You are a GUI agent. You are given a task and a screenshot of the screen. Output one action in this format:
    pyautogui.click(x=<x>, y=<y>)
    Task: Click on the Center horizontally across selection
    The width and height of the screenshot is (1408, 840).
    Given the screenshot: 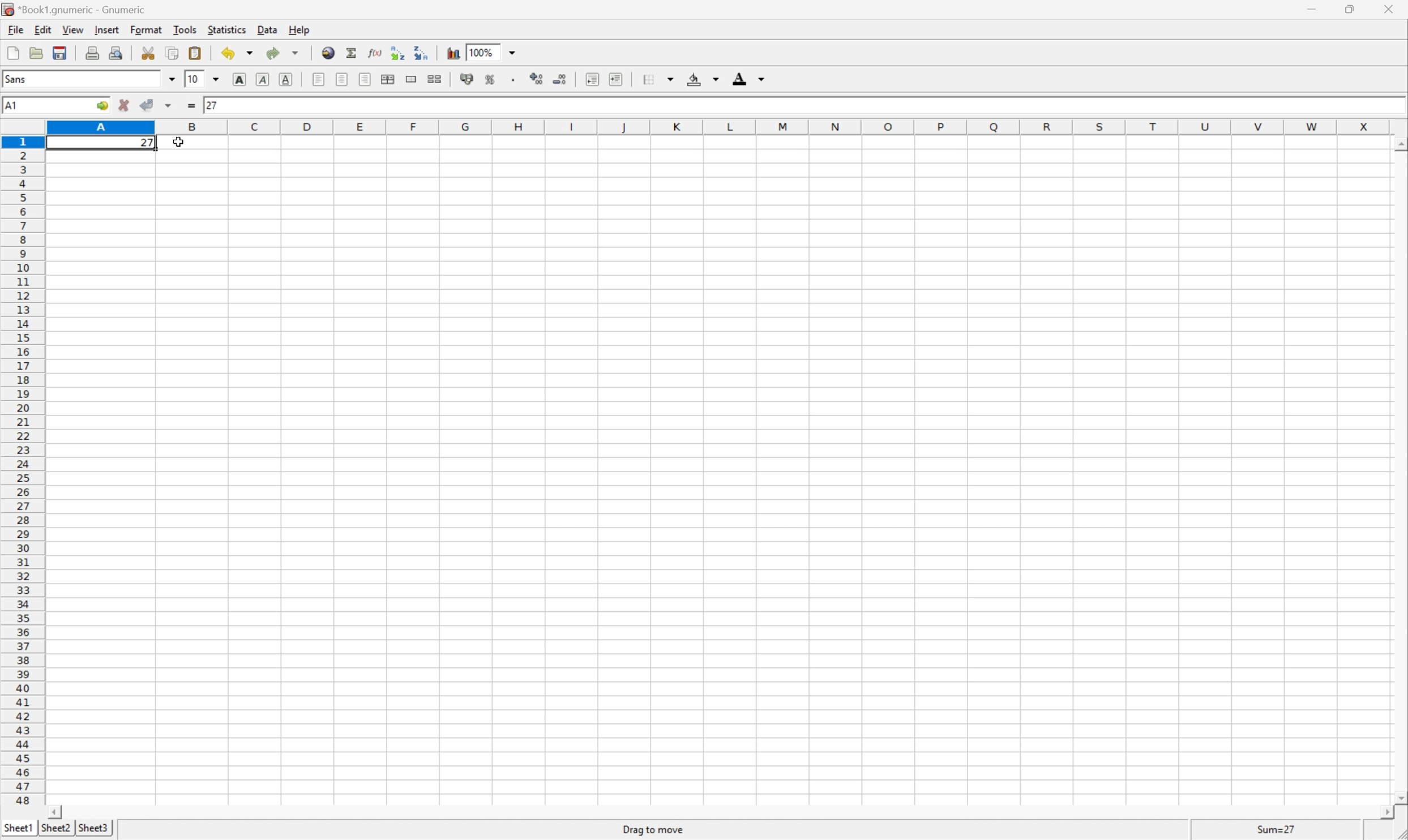 What is the action you would take?
    pyautogui.click(x=387, y=79)
    